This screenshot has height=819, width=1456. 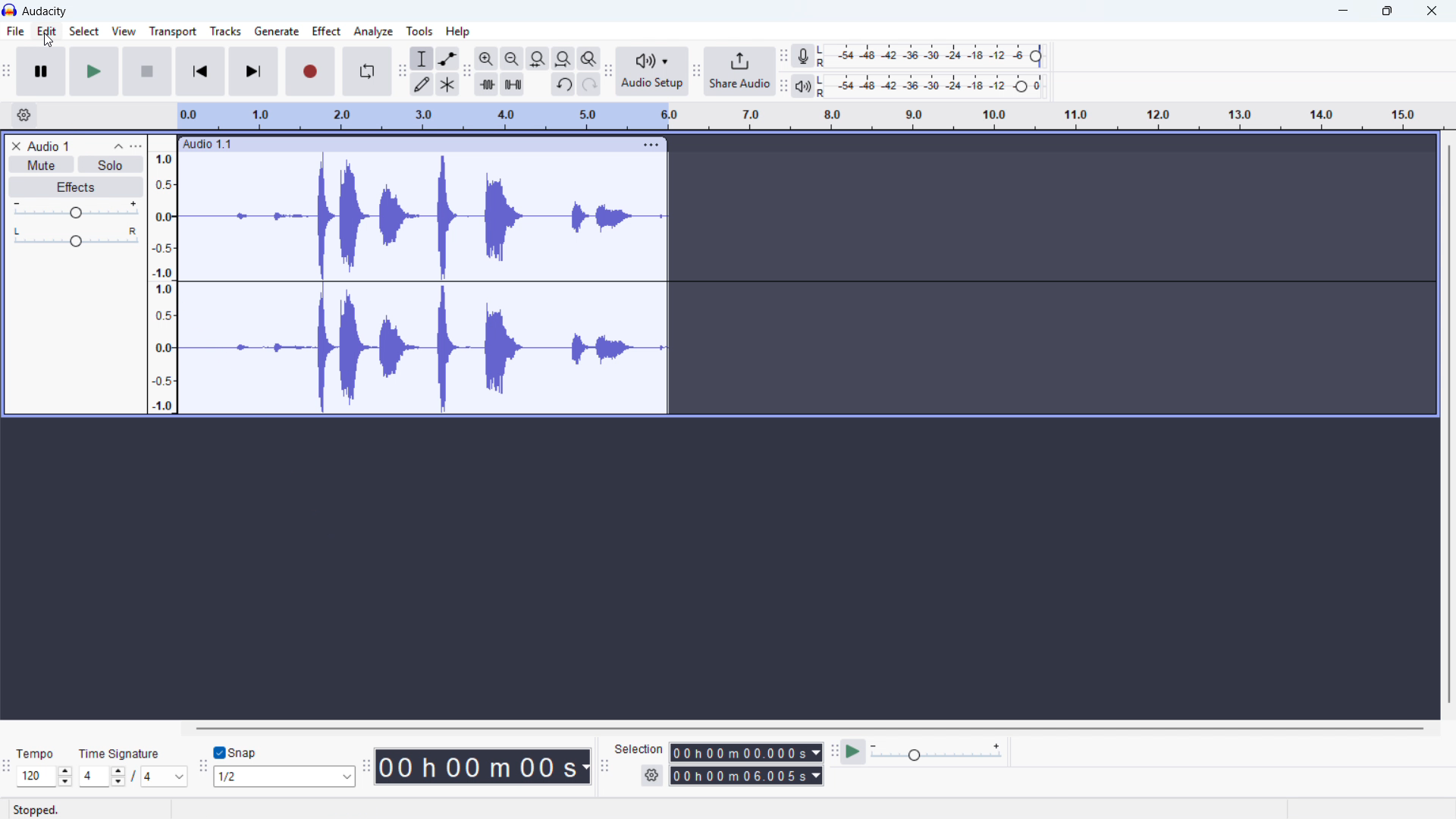 What do you see at coordinates (651, 71) in the screenshot?
I see `audio setup` at bounding box center [651, 71].